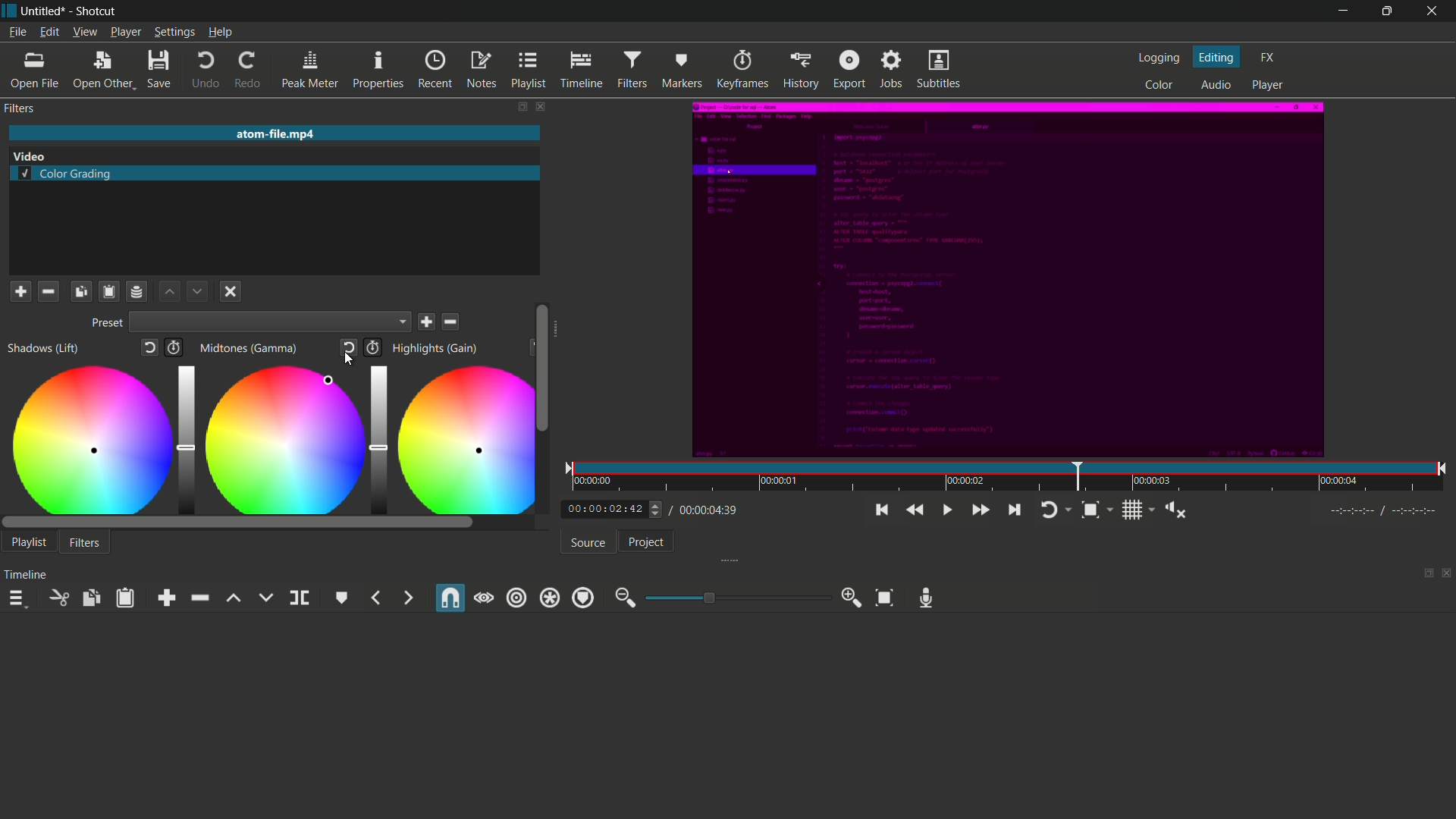  Describe the element at coordinates (588, 543) in the screenshot. I see `source` at that location.